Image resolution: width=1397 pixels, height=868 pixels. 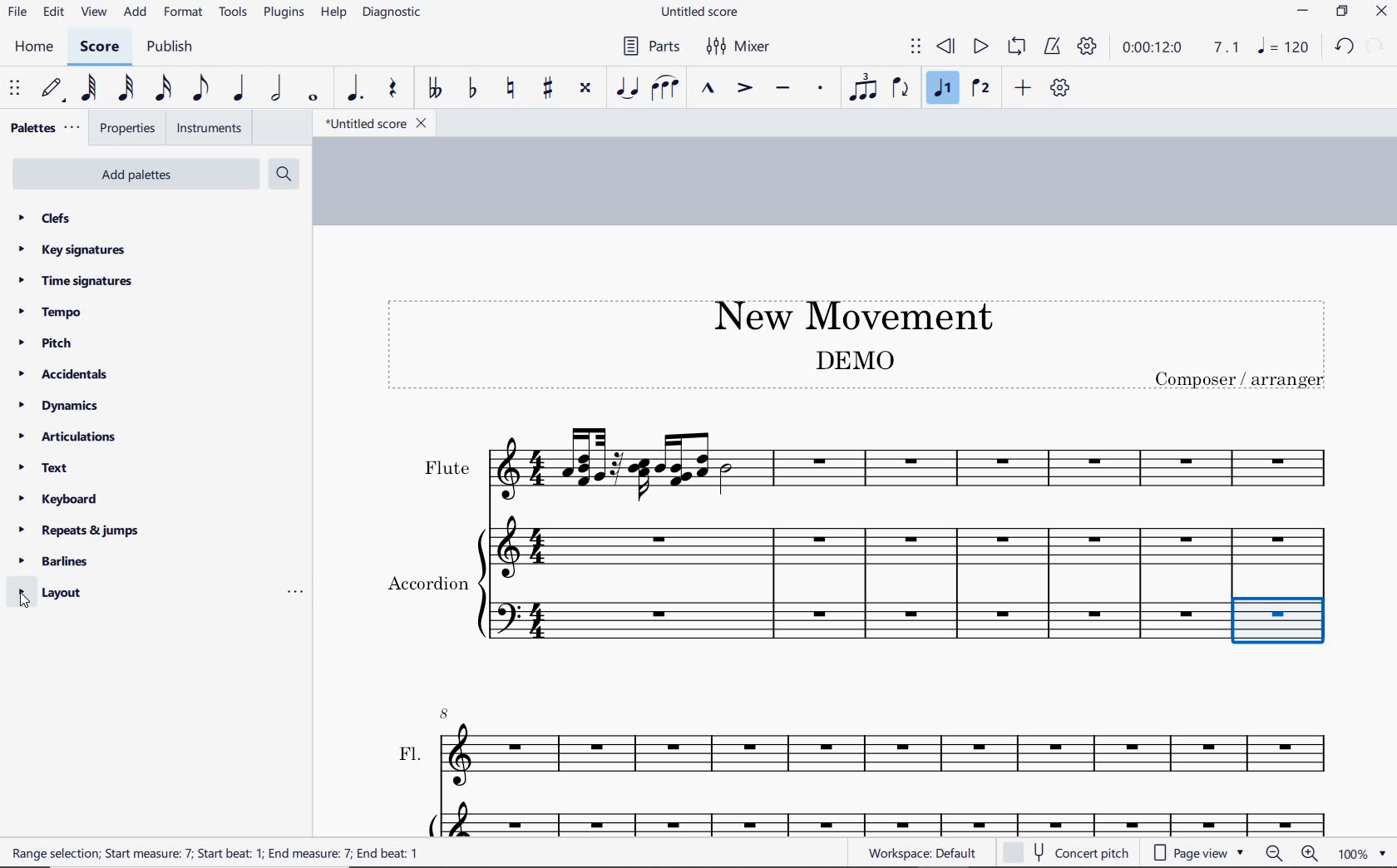 What do you see at coordinates (914, 461) in the screenshot?
I see `Instrument: Flute` at bounding box center [914, 461].